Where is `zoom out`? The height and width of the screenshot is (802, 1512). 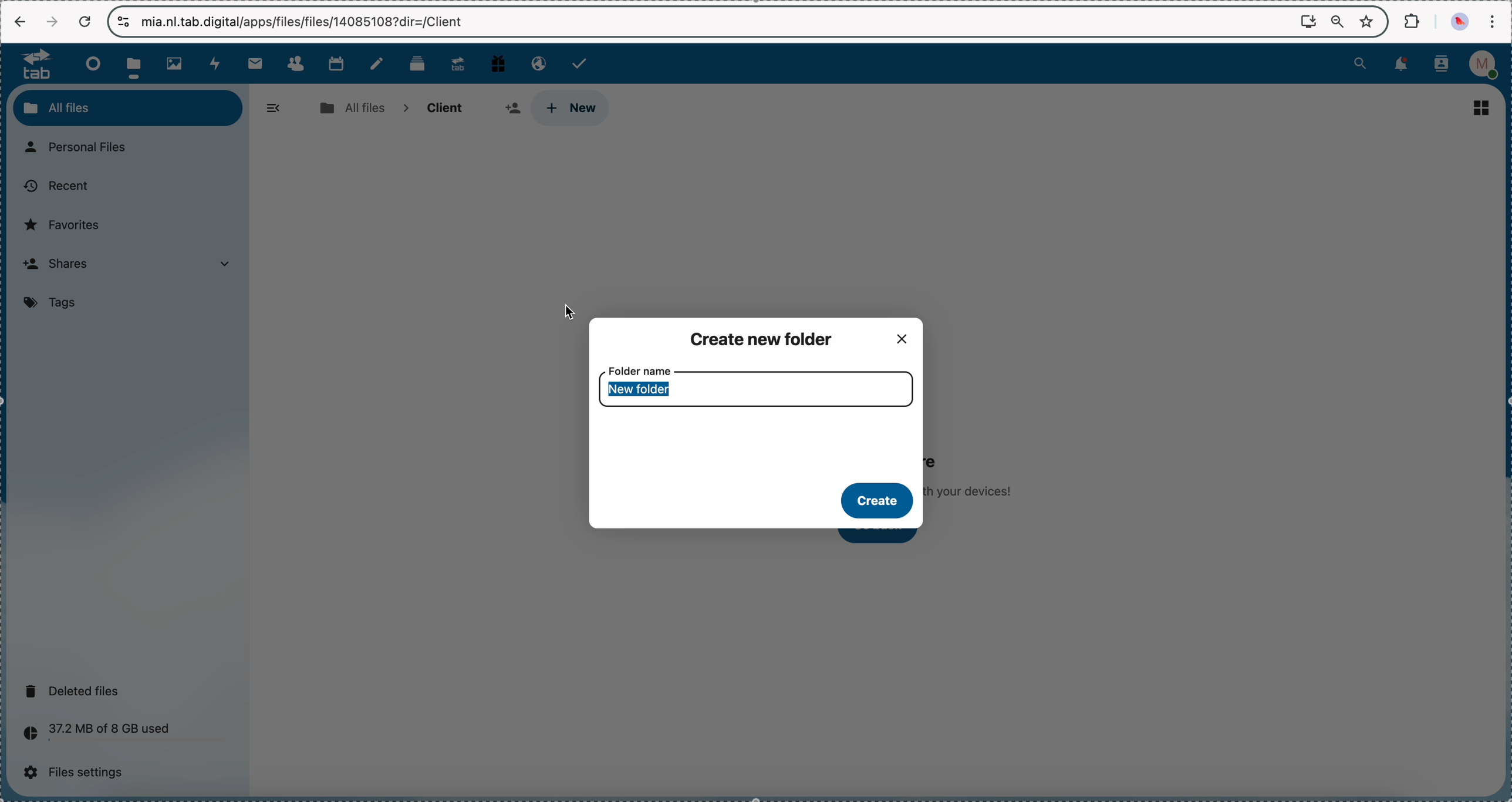 zoom out is located at coordinates (1338, 22).